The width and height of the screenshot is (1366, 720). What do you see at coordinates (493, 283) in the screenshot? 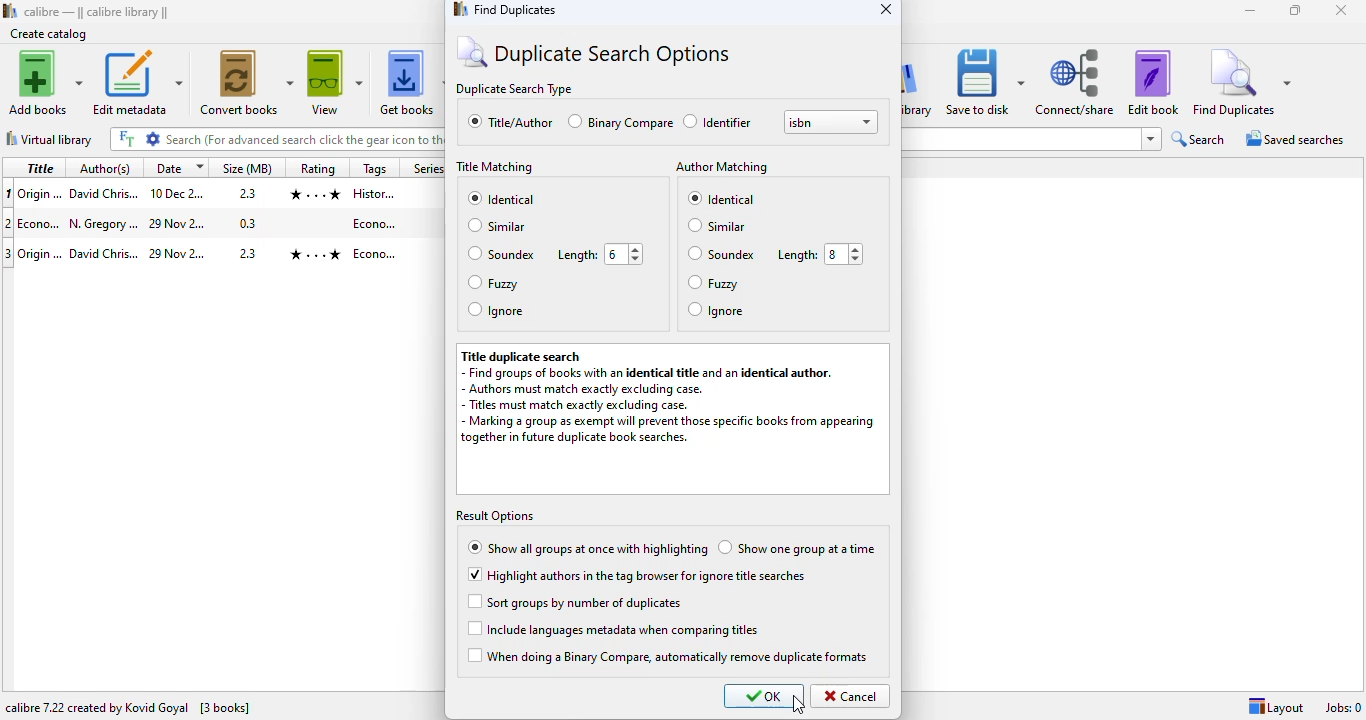
I see `fuzzy` at bounding box center [493, 283].